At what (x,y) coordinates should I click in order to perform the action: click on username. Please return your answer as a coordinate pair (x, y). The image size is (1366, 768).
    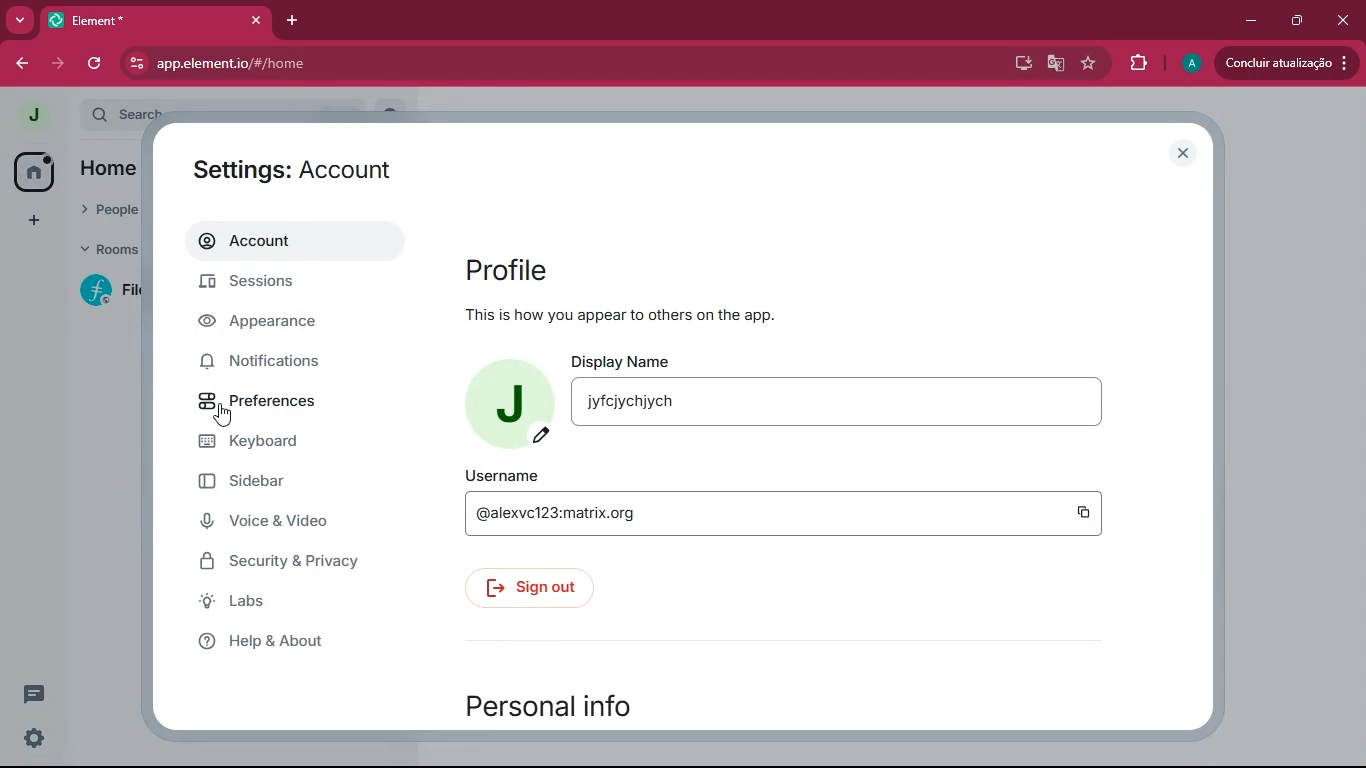
    Looking at the image, I should click on (500, 475).